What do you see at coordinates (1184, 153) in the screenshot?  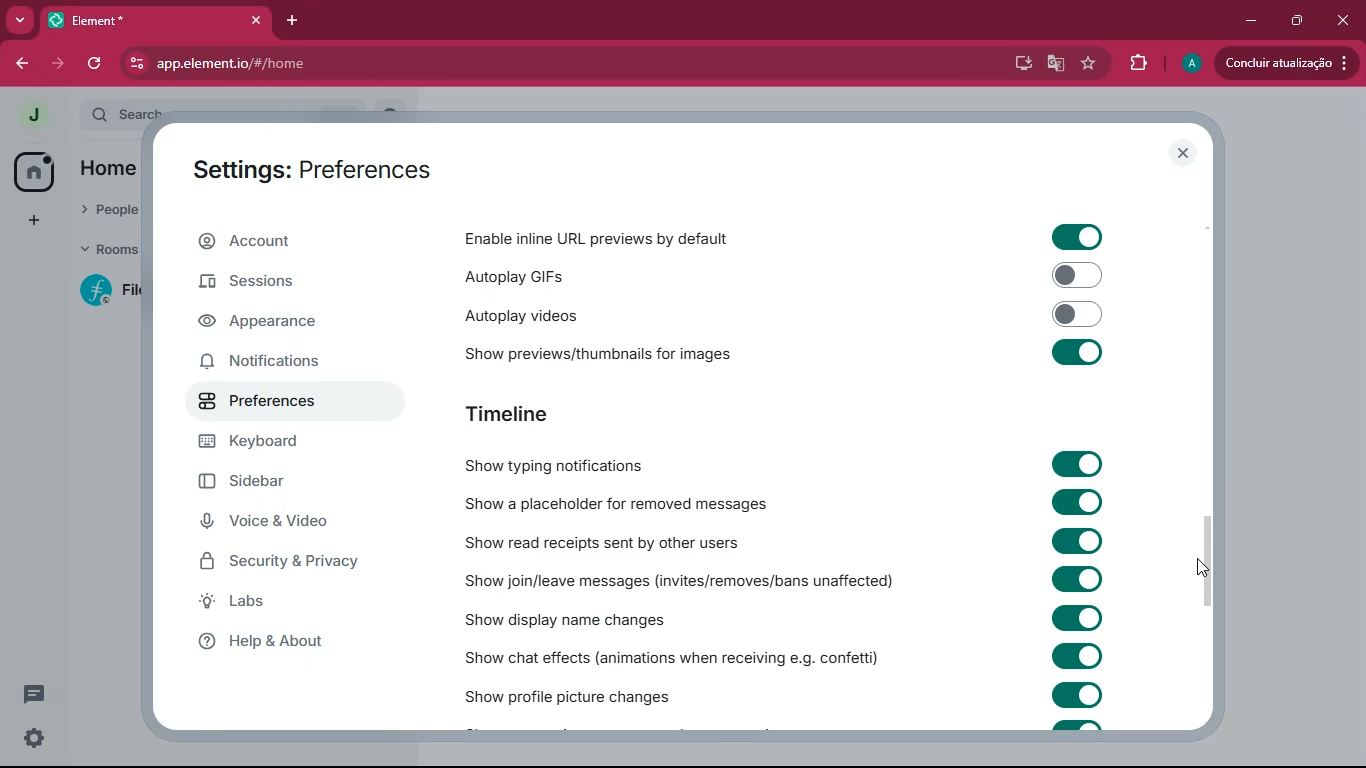 I see `close` at bounding box center [1184, 153].